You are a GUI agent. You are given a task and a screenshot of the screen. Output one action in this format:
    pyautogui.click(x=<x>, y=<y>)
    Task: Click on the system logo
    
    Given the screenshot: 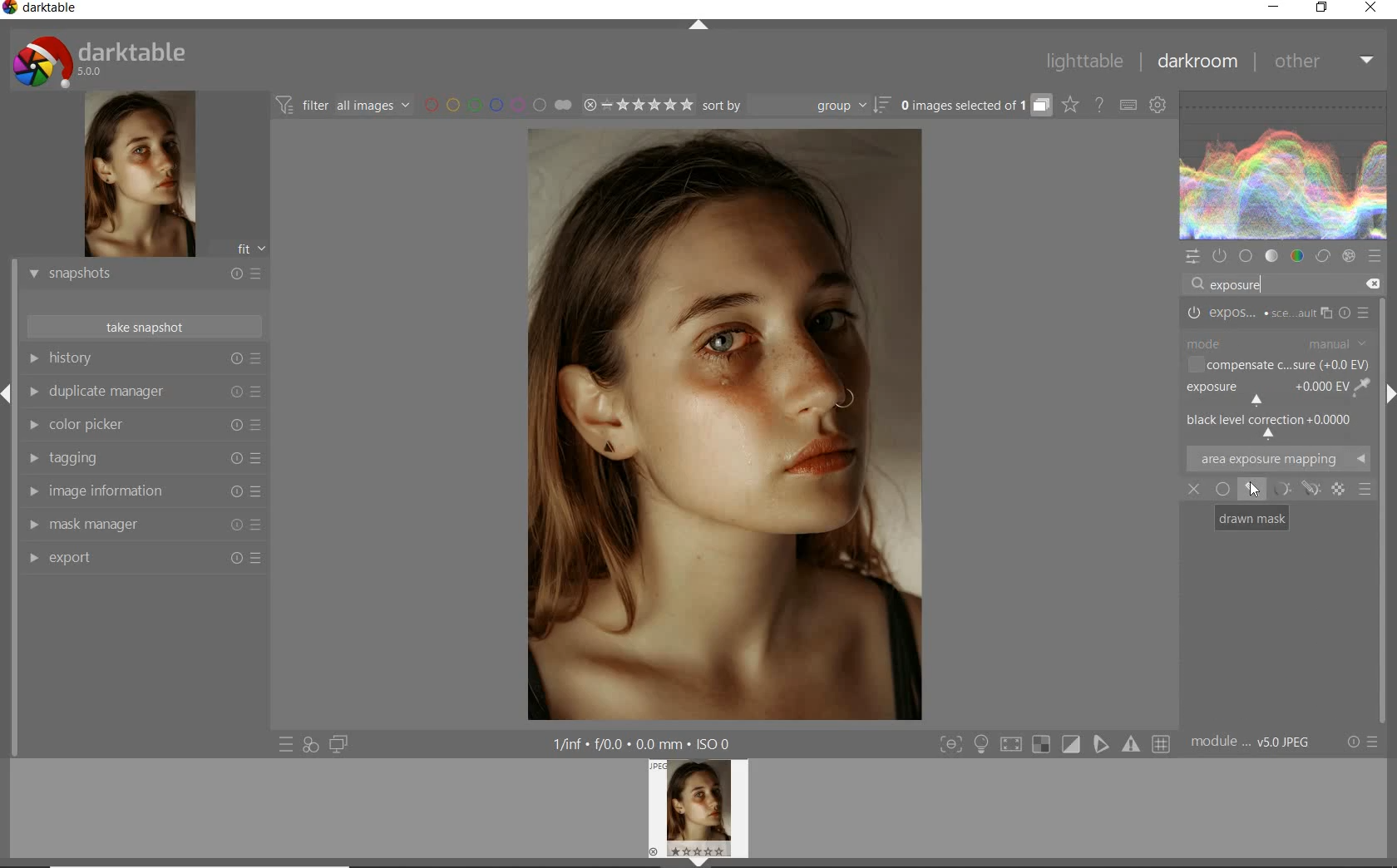 What is the action you would take?
    pyautogui.click(x=108, y=59)
    